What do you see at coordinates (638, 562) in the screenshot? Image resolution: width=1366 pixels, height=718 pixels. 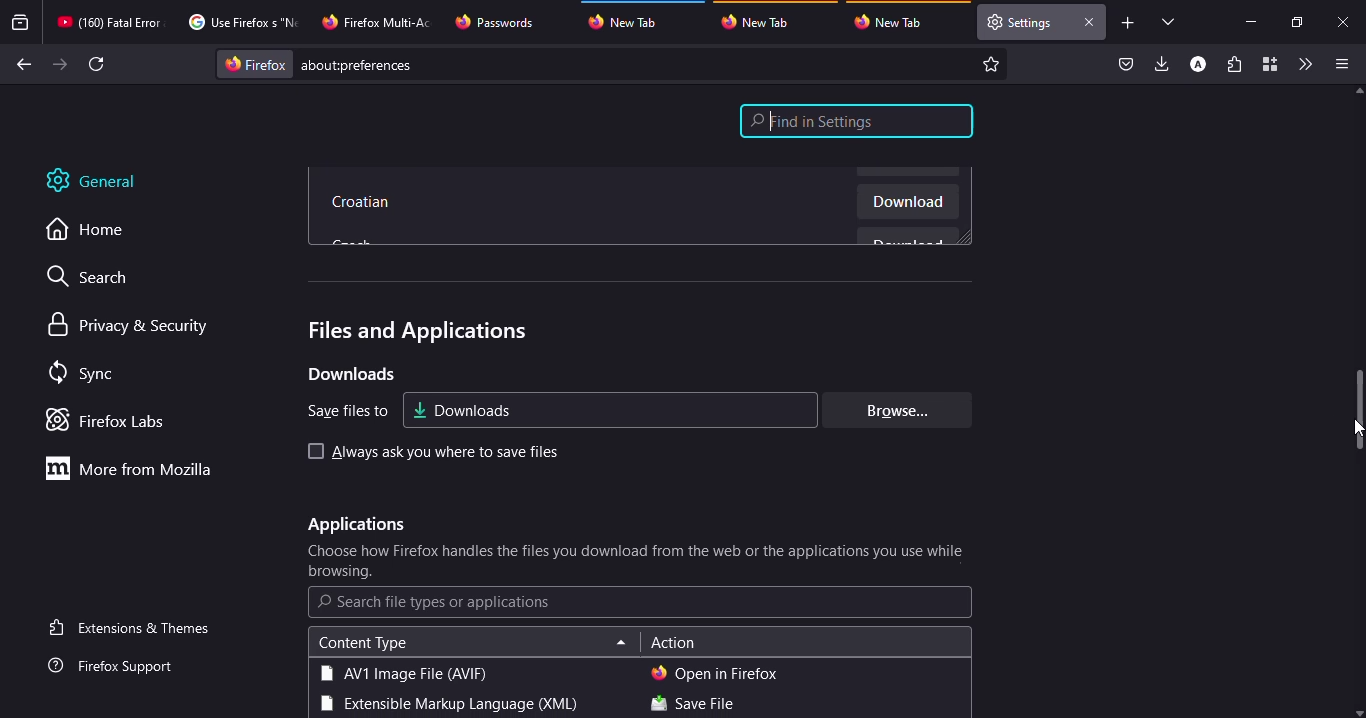 I see `choose` at bounding box center [638, 562].